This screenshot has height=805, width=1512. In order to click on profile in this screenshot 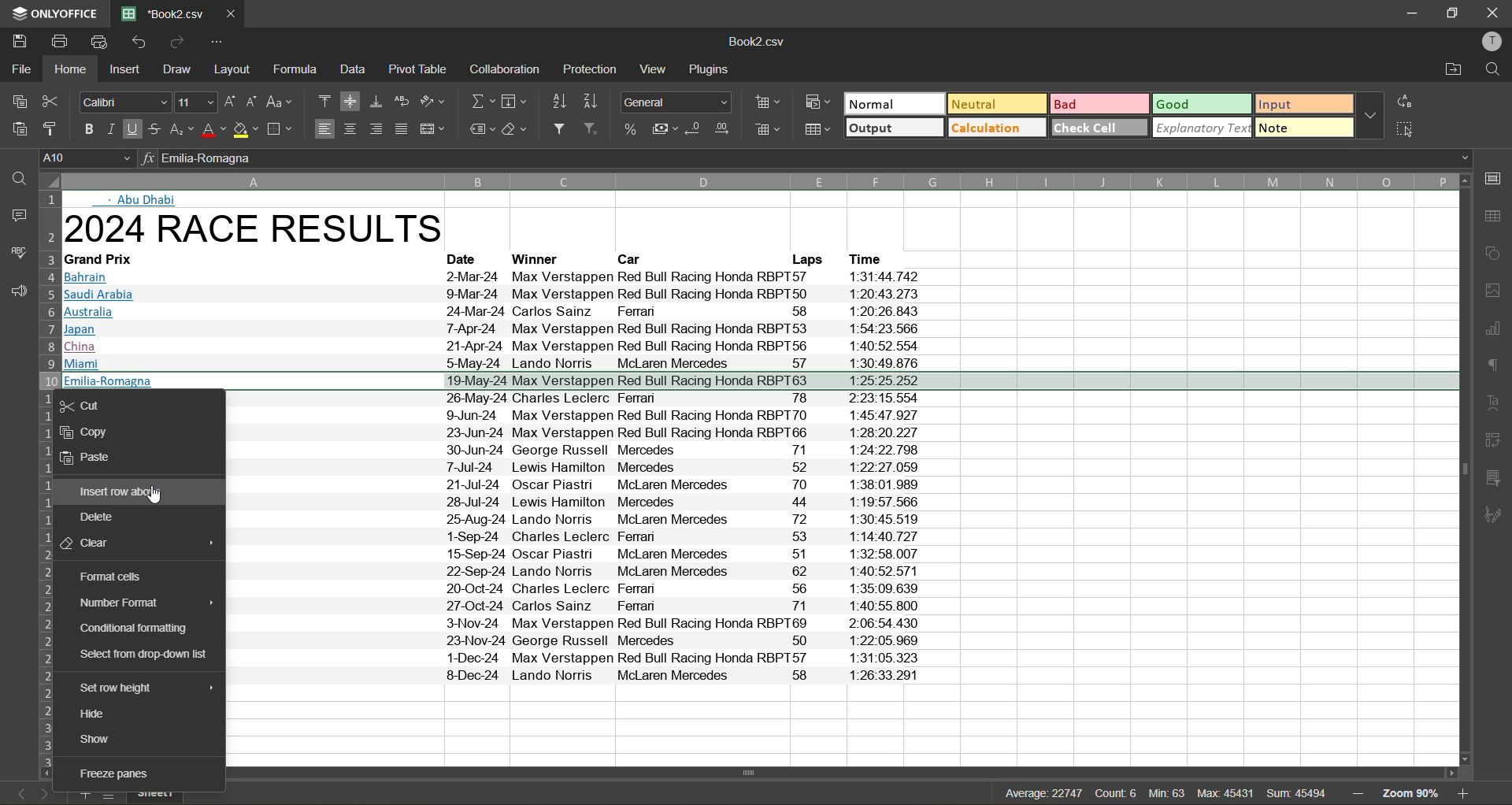, I will do `click(1493, 42)`.